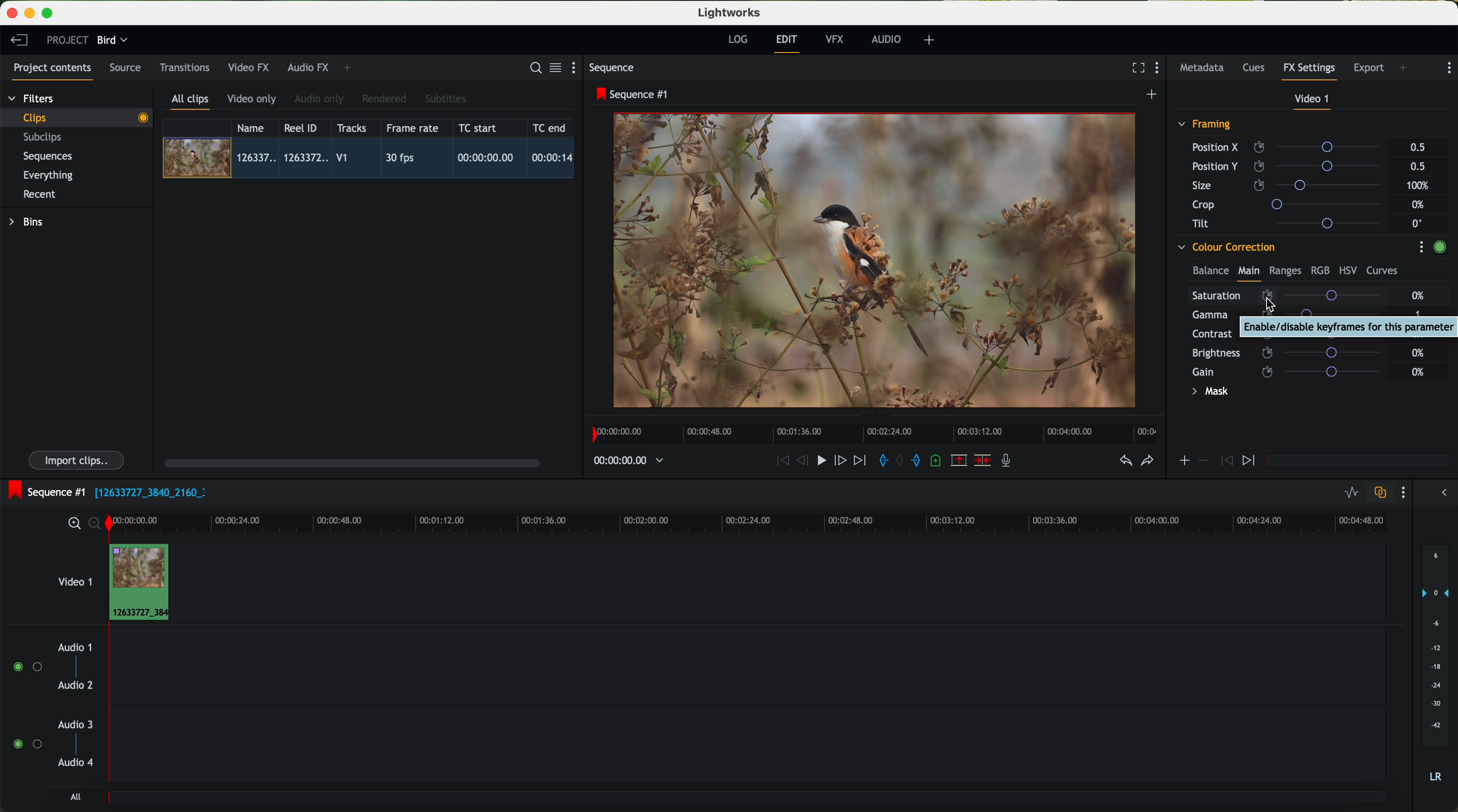 This screenshot has height=812, width=1458. What do you see at coordinates (1293, 353) in the screenshot?
I see `brightness` at bounding box center [1293, 353].